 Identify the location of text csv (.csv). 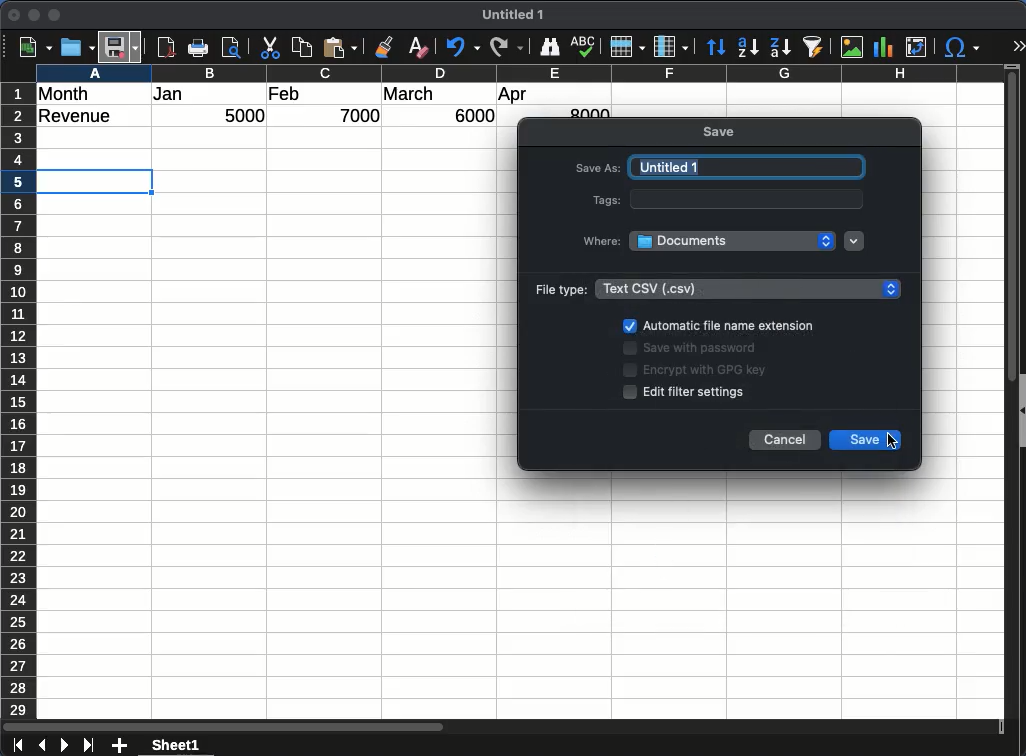
(747, 288).